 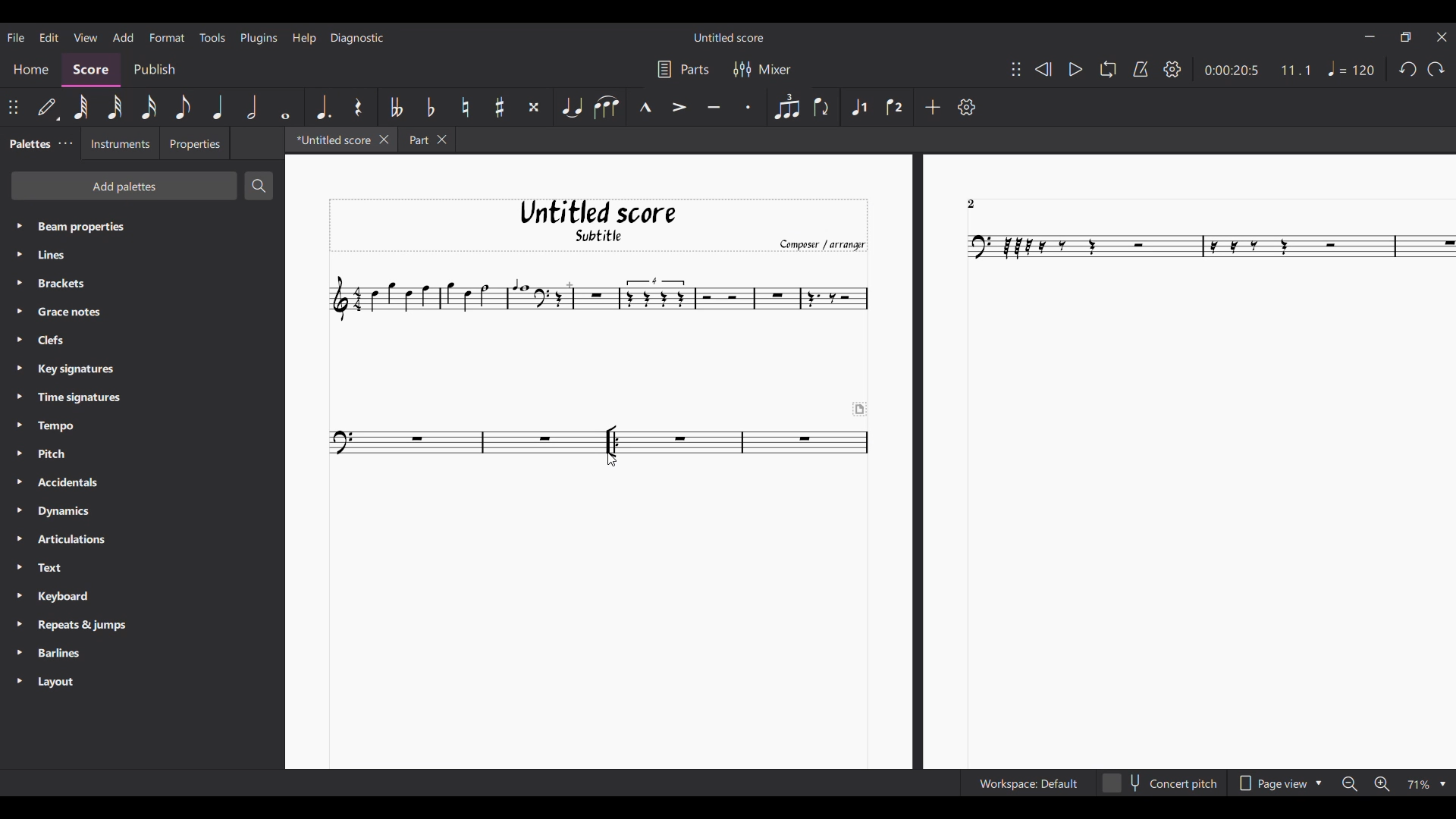 I want to click on Whole note, so click(x=286, y=106).